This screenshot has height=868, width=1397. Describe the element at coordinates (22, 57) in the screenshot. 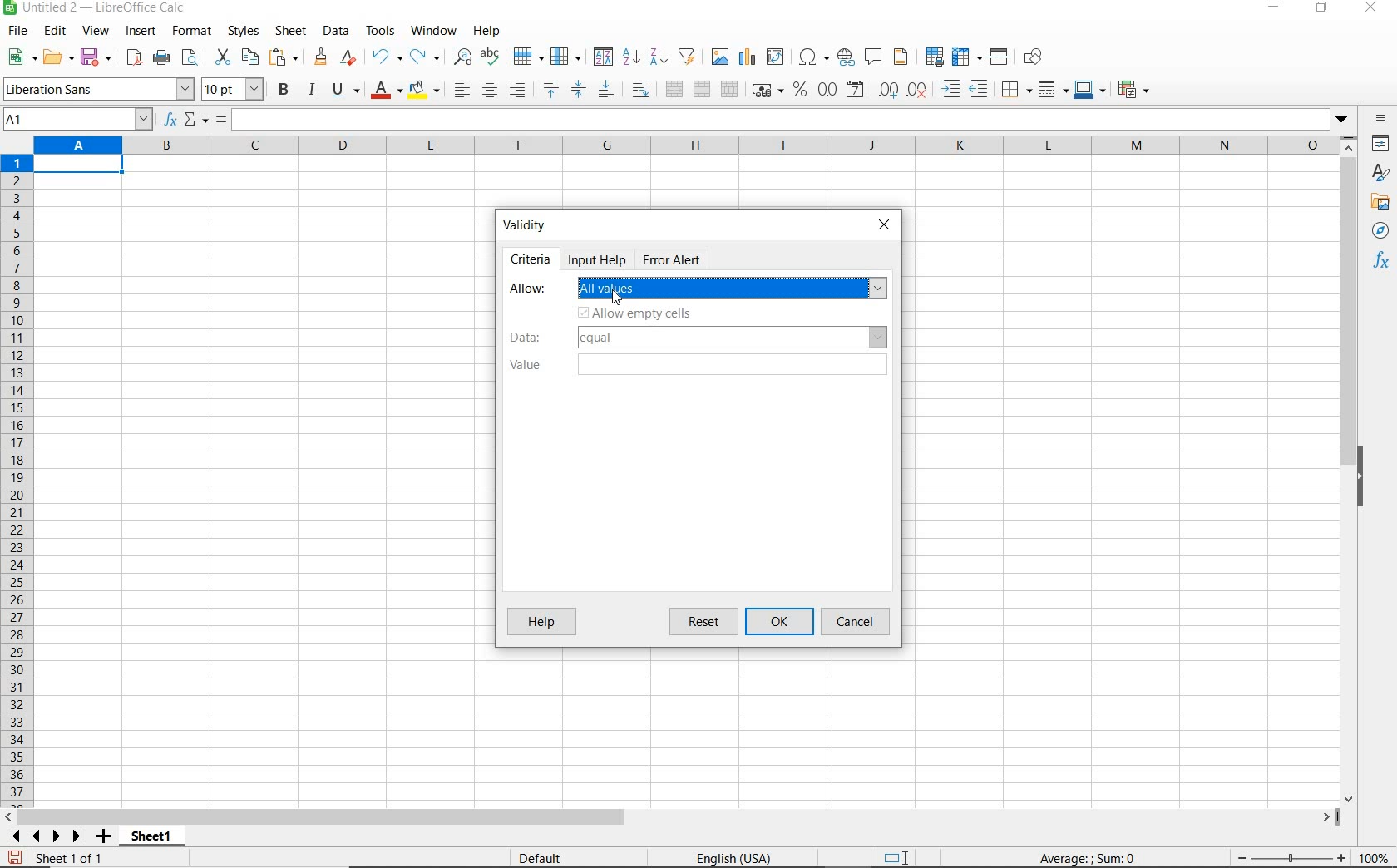

I see `new` at that location.